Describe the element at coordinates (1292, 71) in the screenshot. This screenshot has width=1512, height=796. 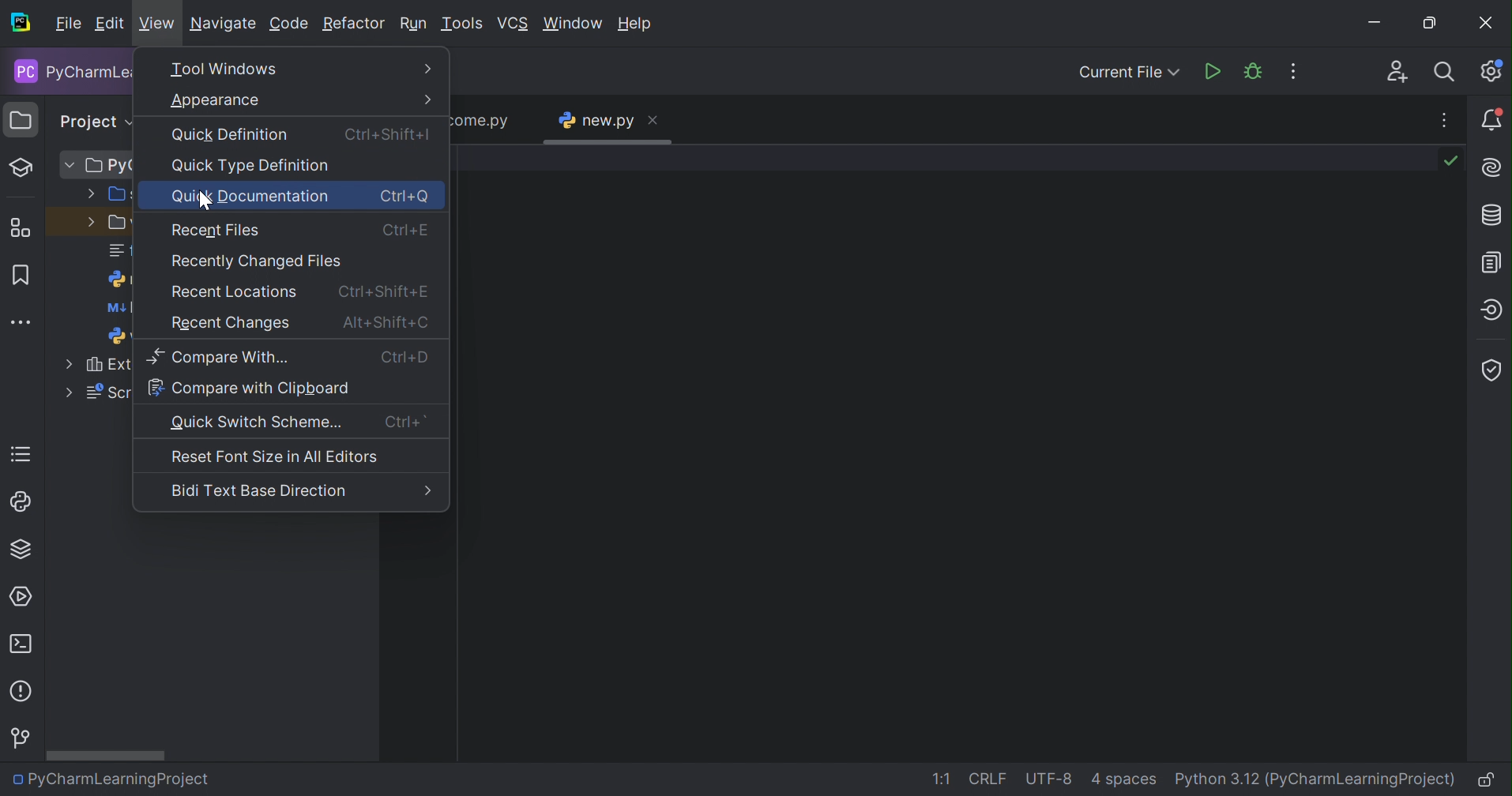
I see `More Actions` at that location.